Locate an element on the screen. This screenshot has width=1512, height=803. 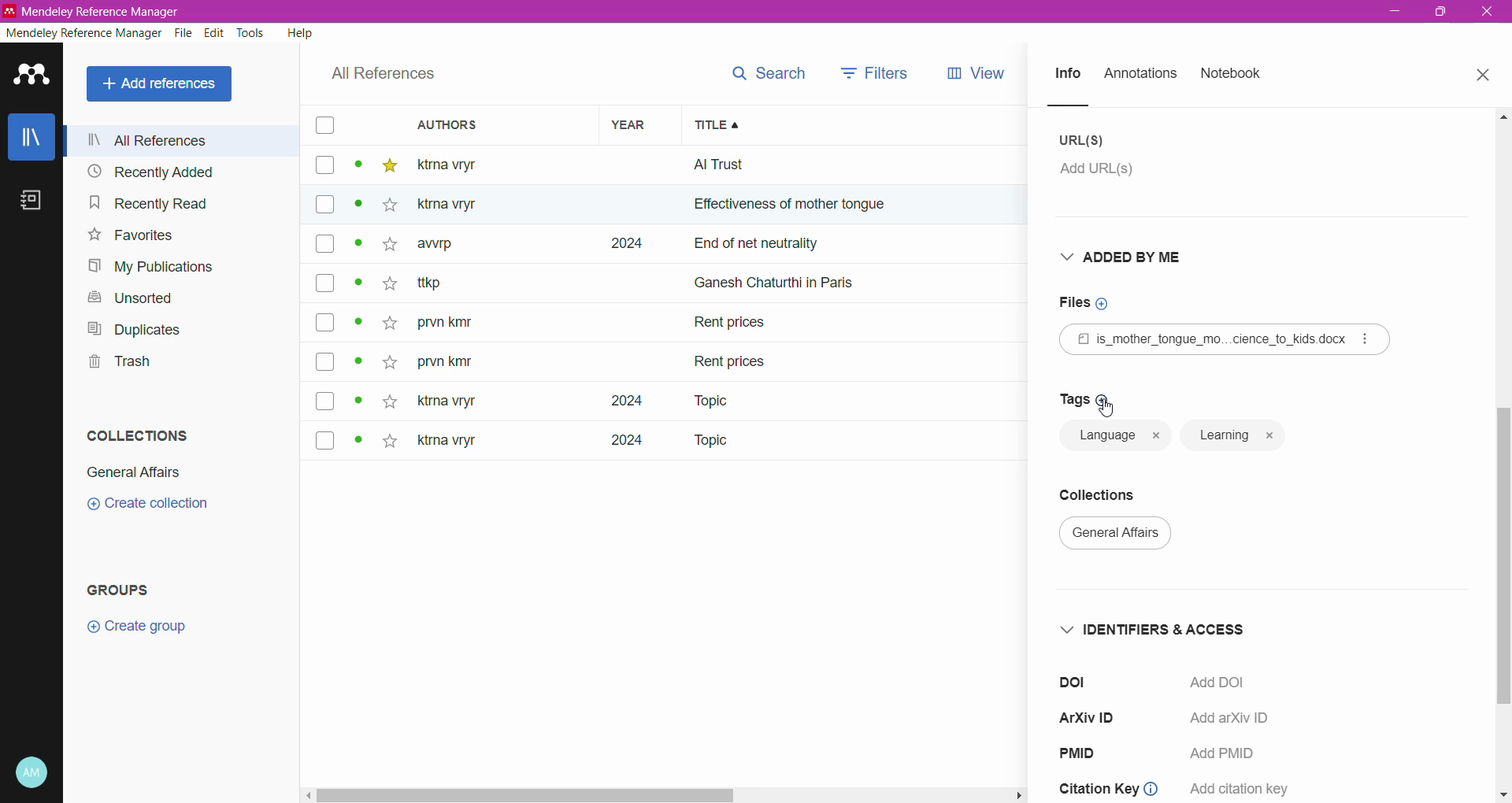
maximize is located at coordinates (1436, 17).